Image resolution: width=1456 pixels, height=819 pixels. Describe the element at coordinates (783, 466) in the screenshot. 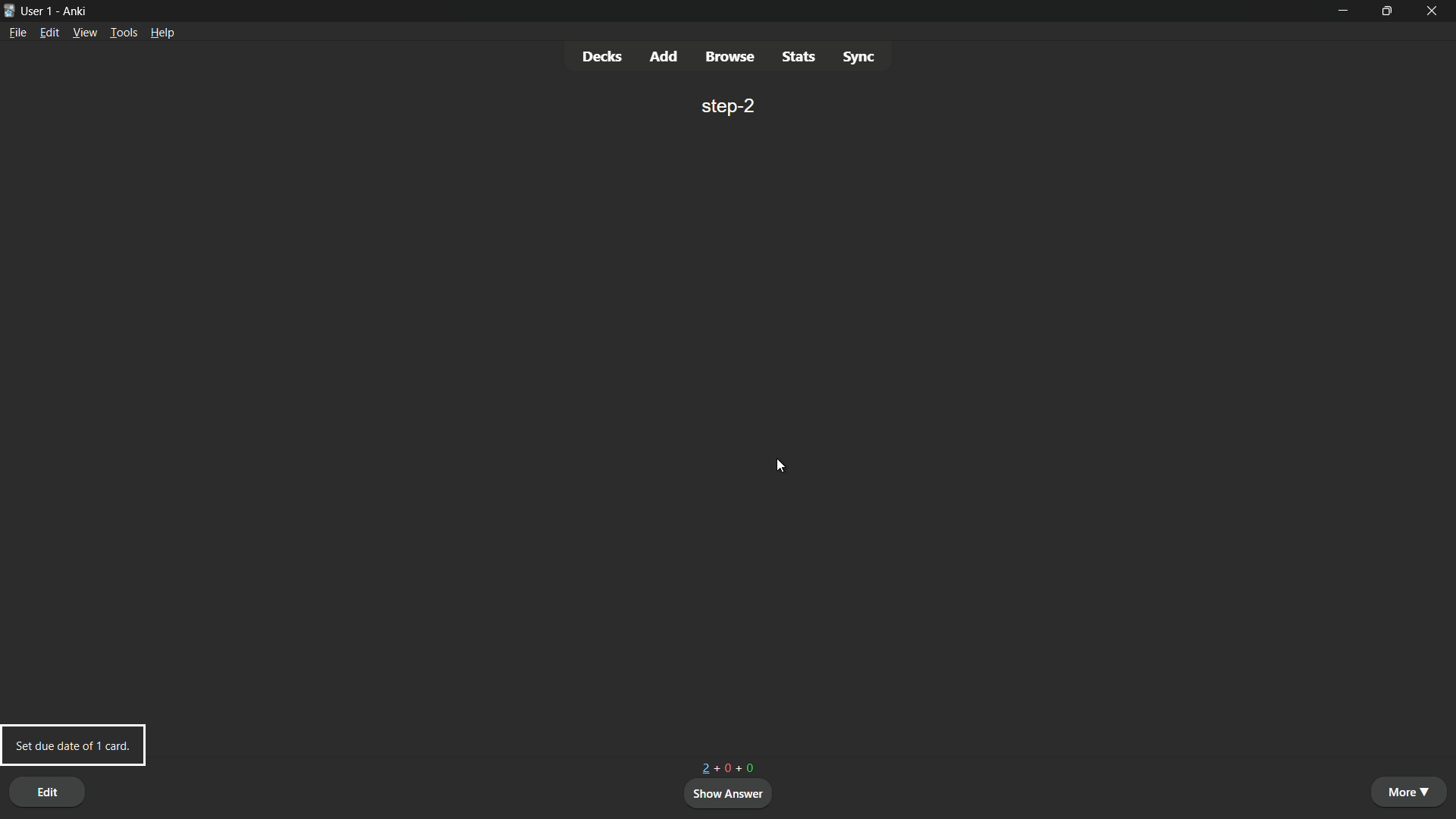

I see `cursor` at that location.